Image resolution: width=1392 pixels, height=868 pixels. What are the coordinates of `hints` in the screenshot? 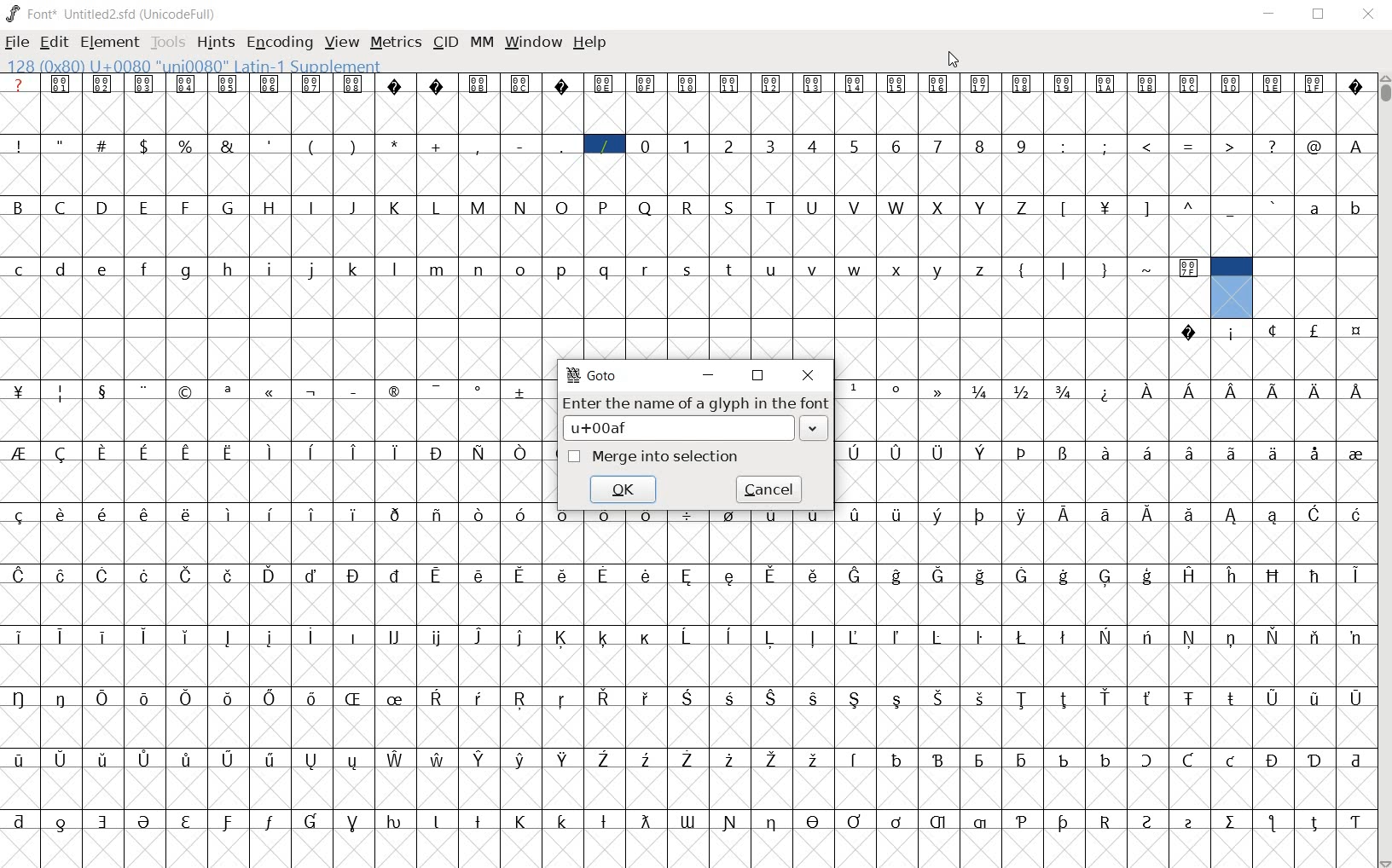 It's located at (216, 43).